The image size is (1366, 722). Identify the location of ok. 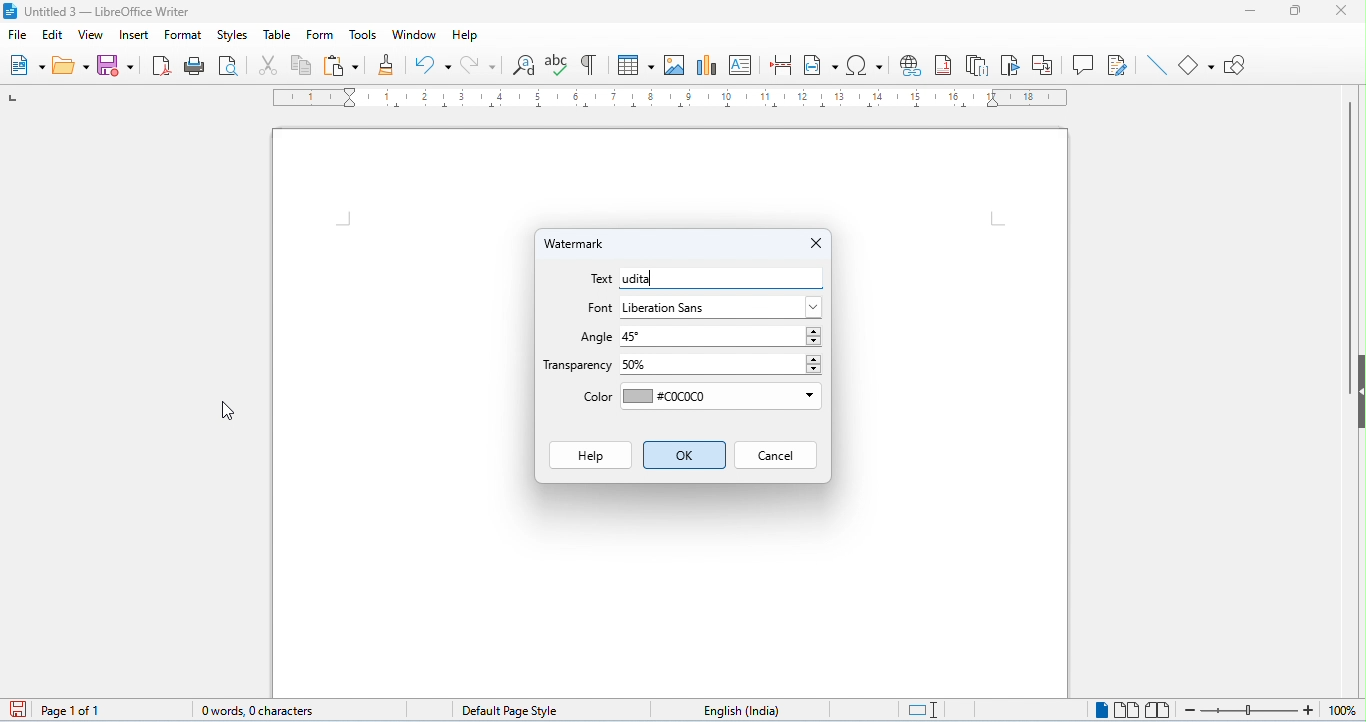
(682, 456).